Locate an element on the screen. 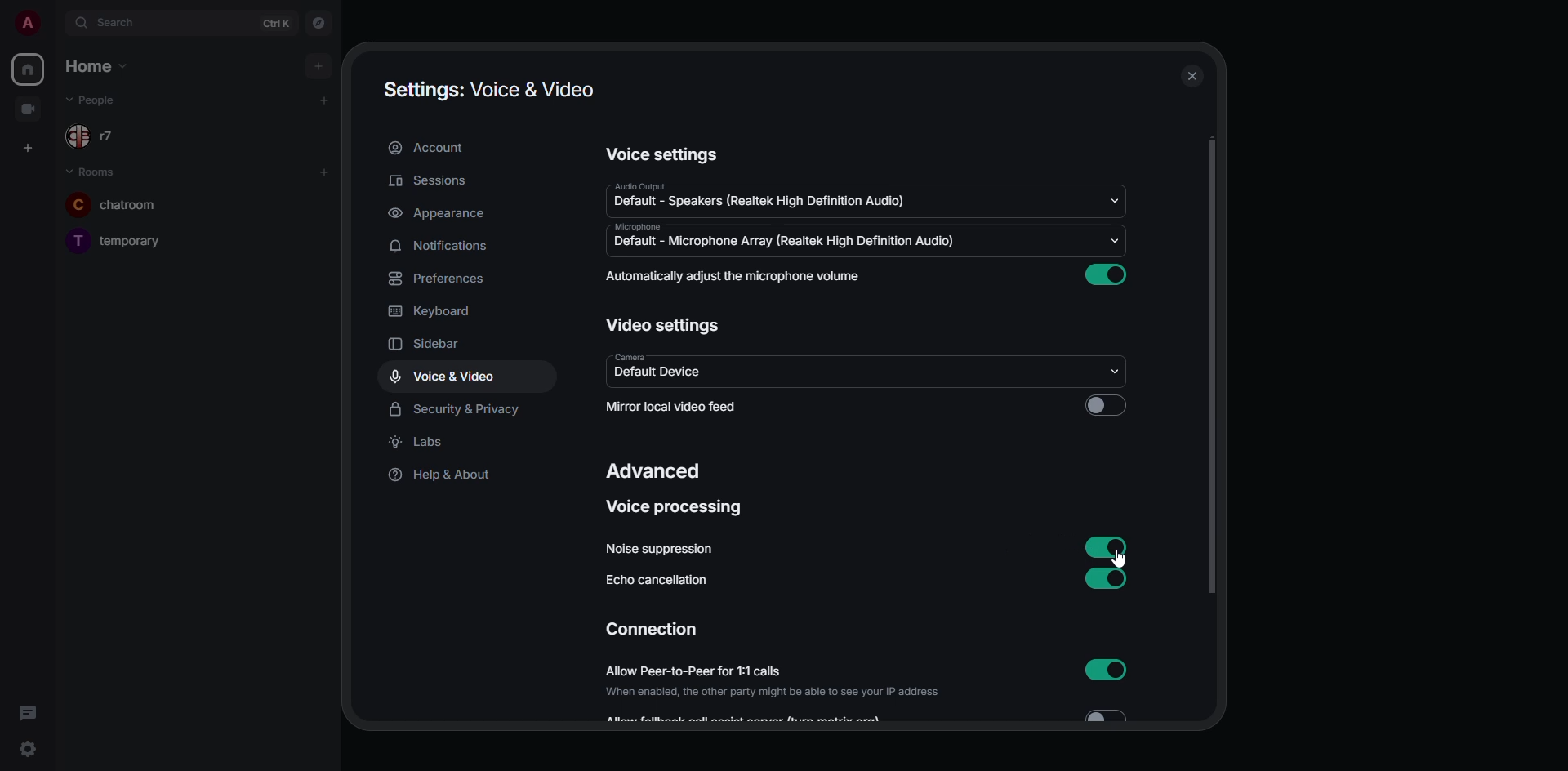  notifications is located at coordinates (444, 247).